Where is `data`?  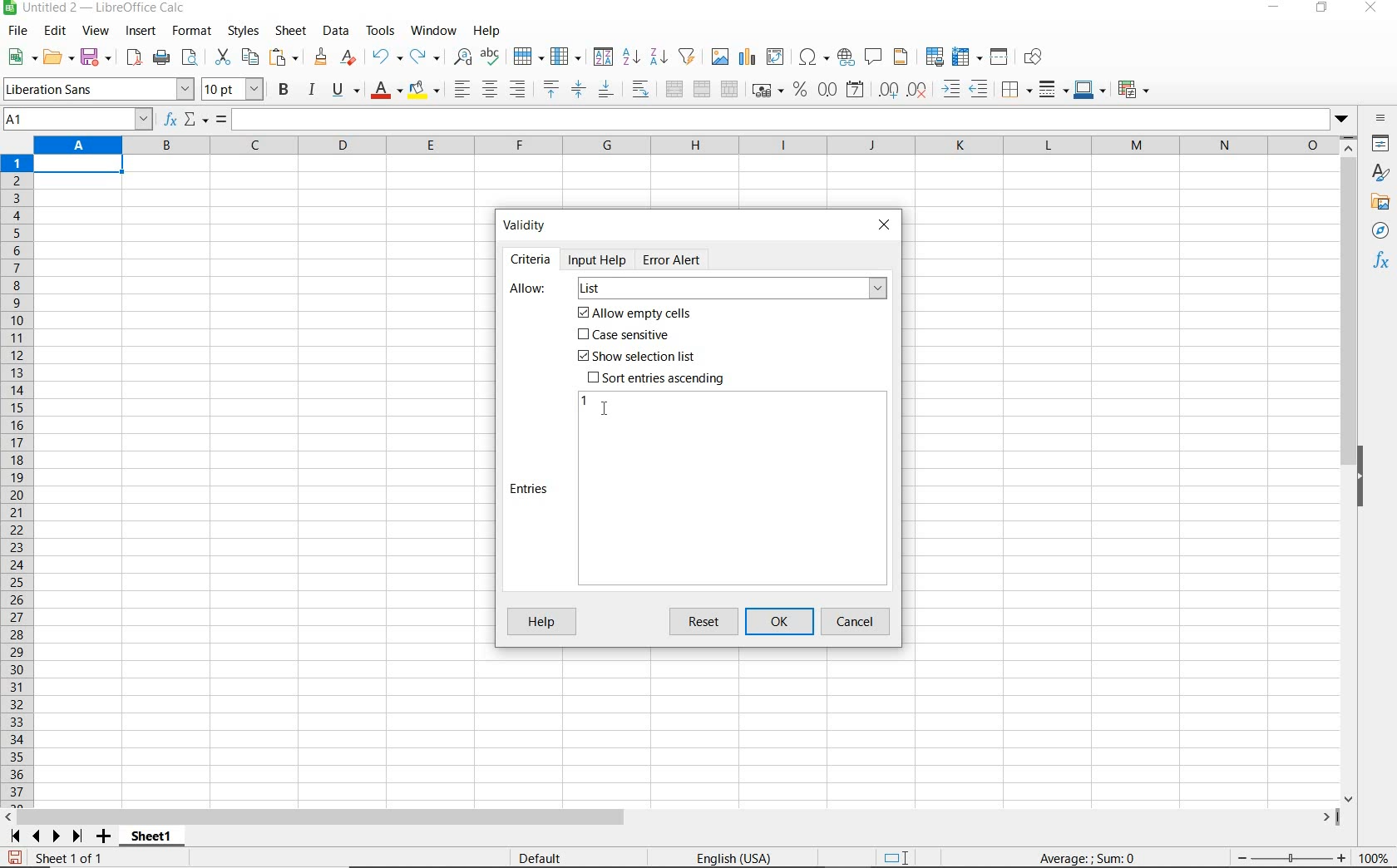 data is located at coordinates (335, 30).